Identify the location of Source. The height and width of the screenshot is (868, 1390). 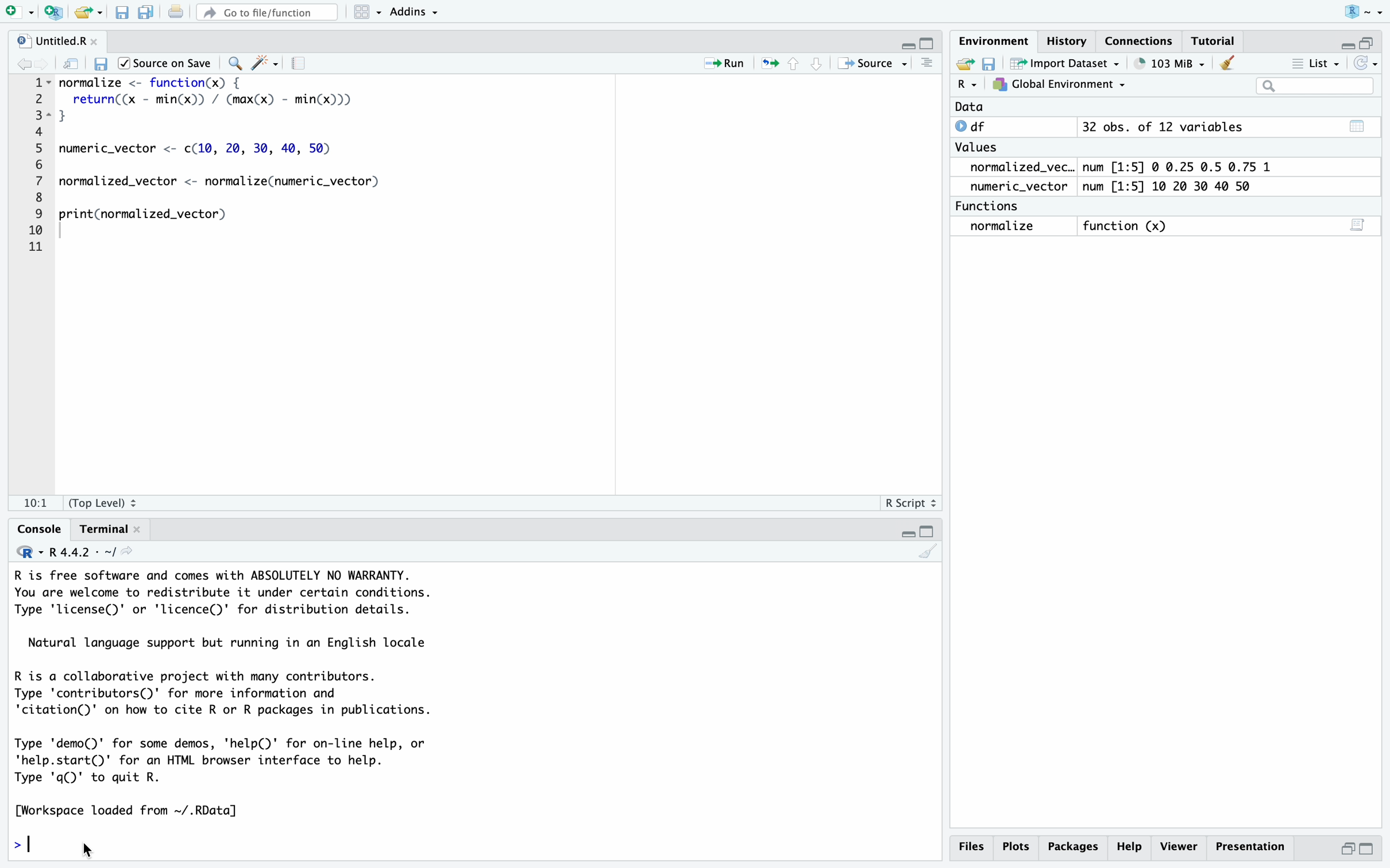
(869, 64).